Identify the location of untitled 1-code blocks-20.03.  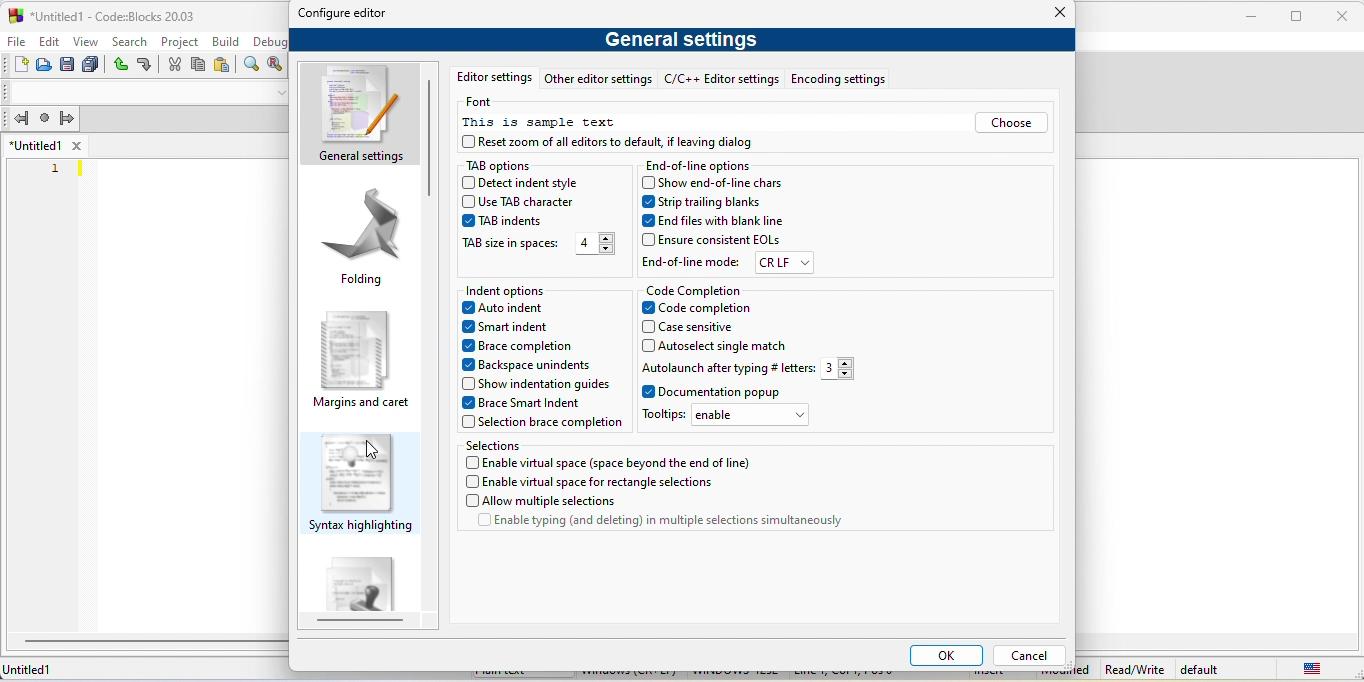
(113, 17).